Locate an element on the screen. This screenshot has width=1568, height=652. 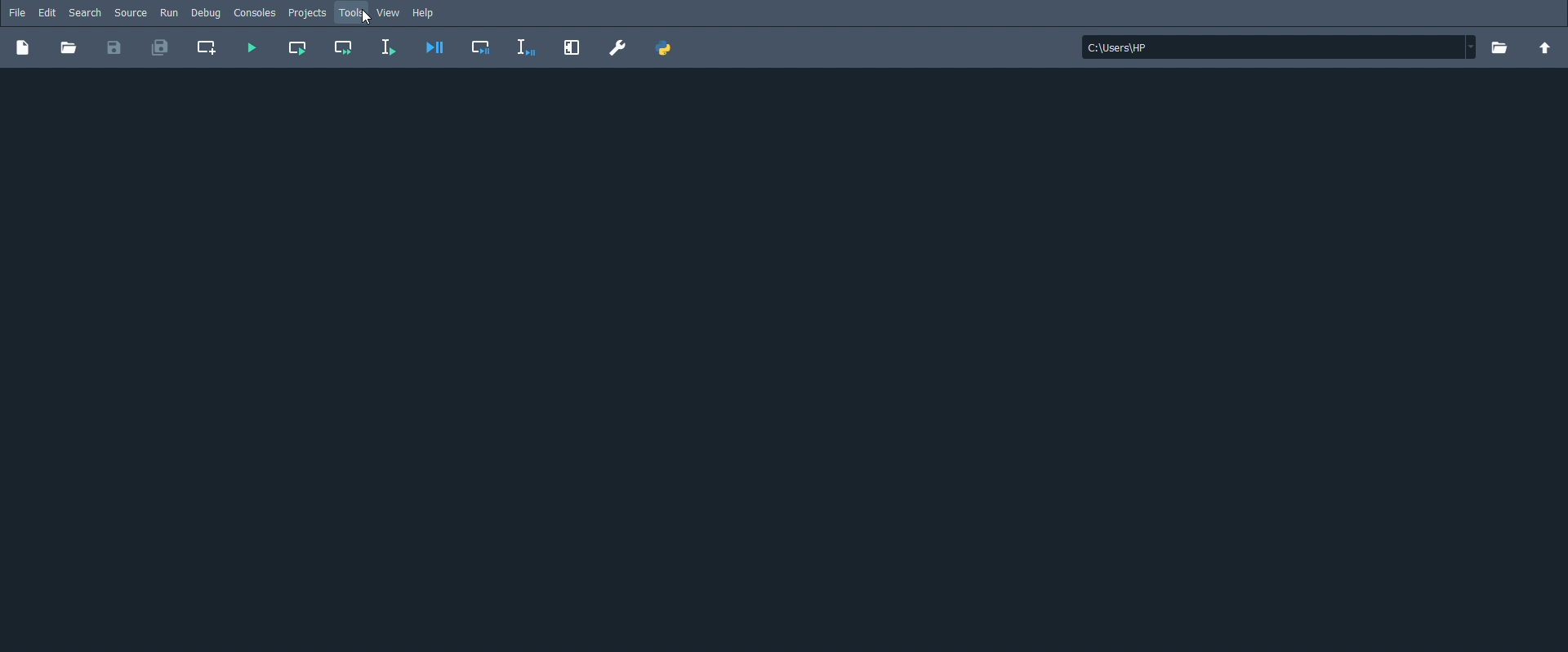
Preferences is located at coordinates (618, 47).